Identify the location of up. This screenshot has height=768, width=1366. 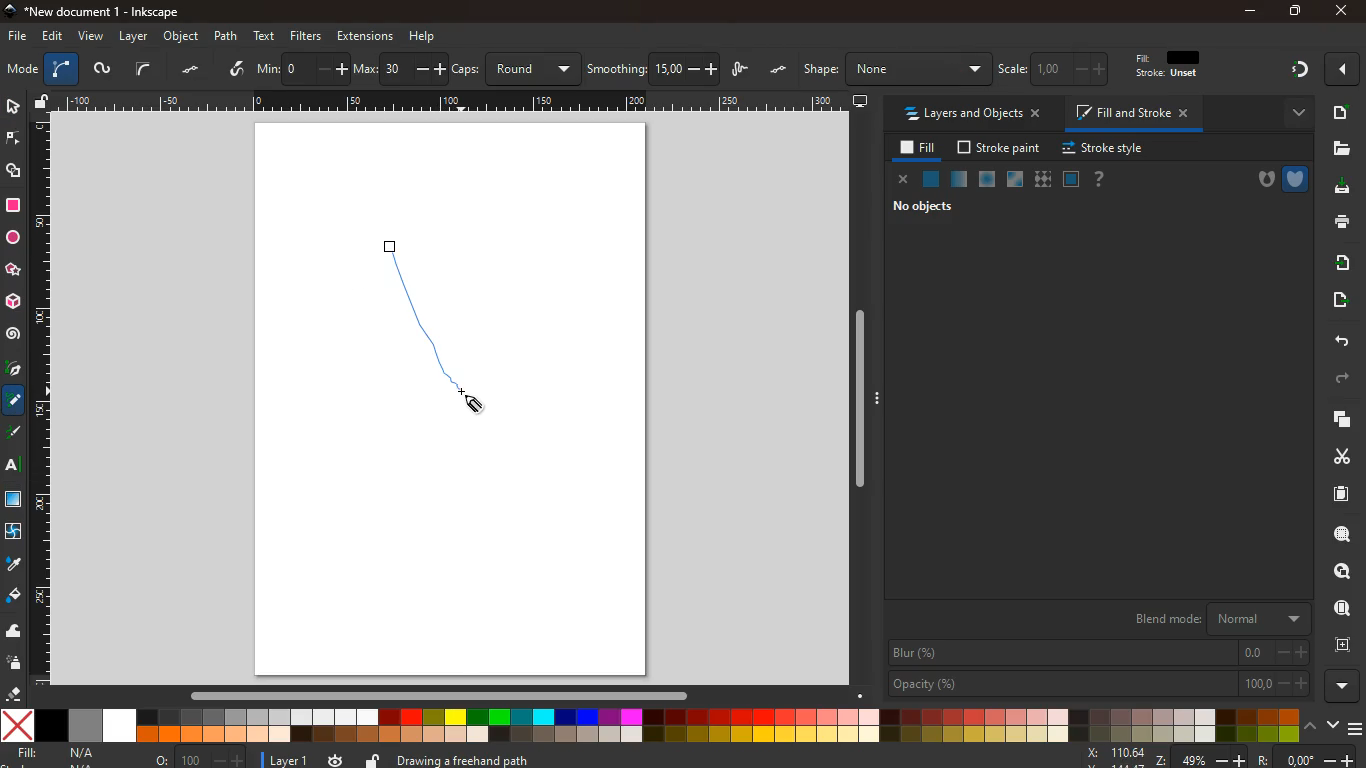
(1312, 724).